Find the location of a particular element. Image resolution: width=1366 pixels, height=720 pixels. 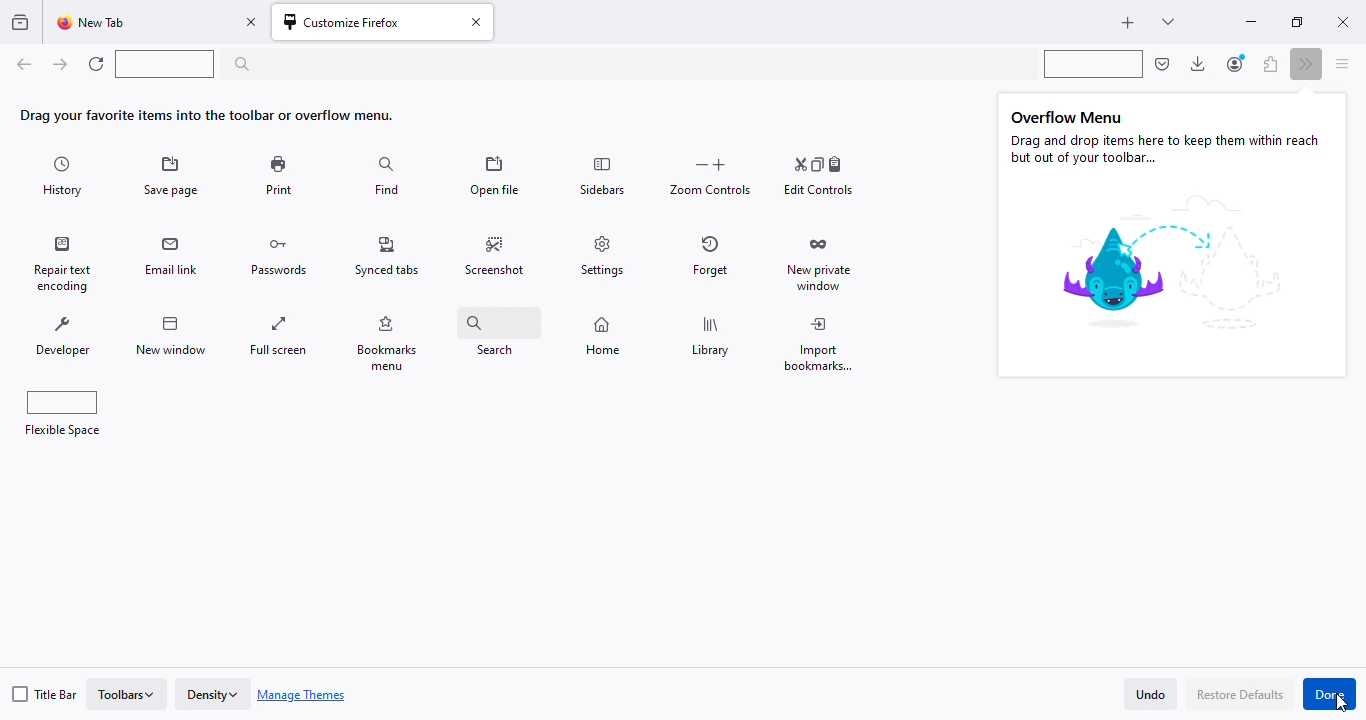

new window is located at coordinates (170, 338).